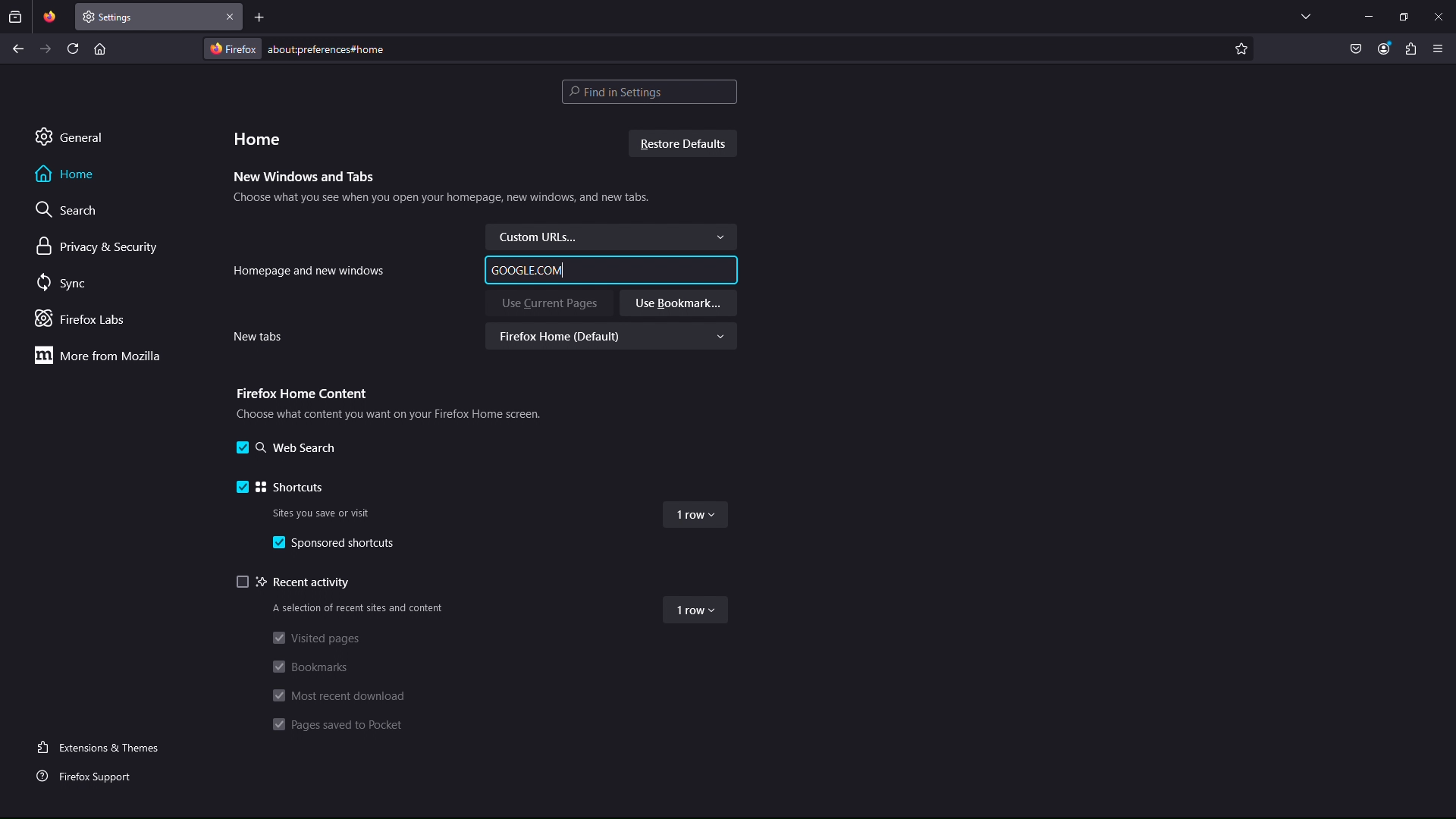  I want to click on Minimize, so click(1368, 16).